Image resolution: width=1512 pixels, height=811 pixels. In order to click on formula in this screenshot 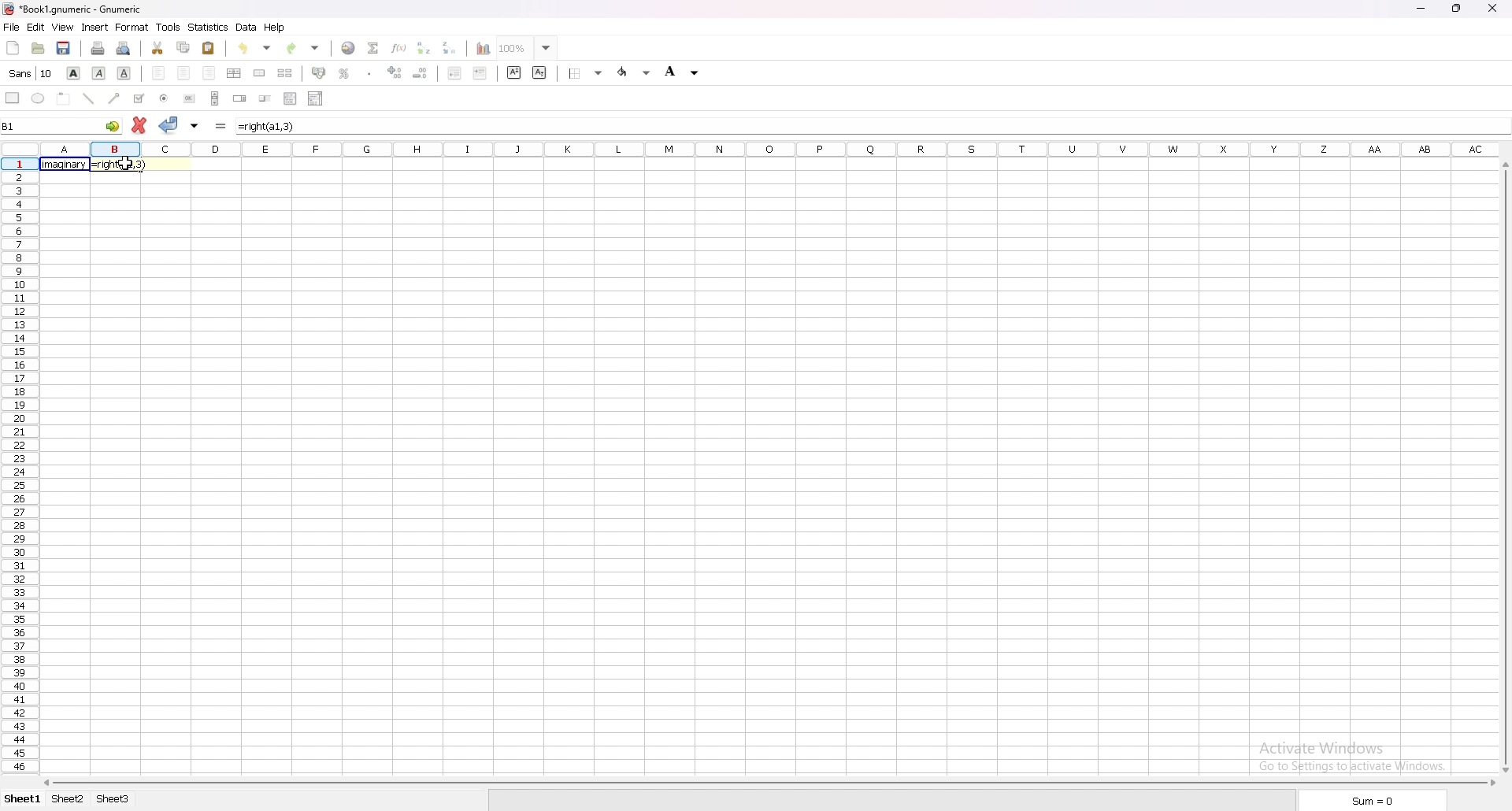, I will do `click(220, 127)`.